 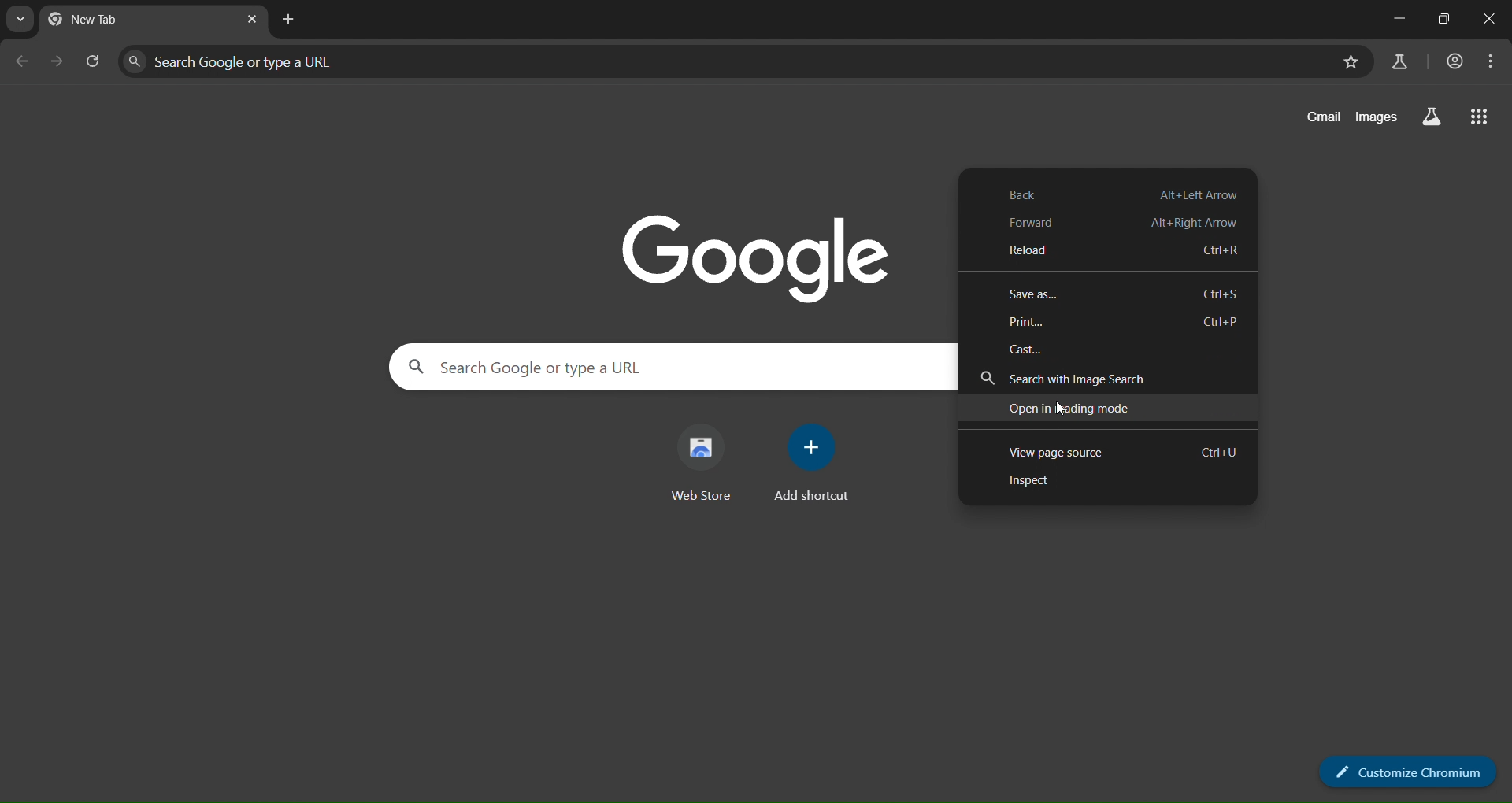 What do you see at coordinates (1350, 62) in the screenshot?
I see `bookmark page` at bounding box center [1350, 62].